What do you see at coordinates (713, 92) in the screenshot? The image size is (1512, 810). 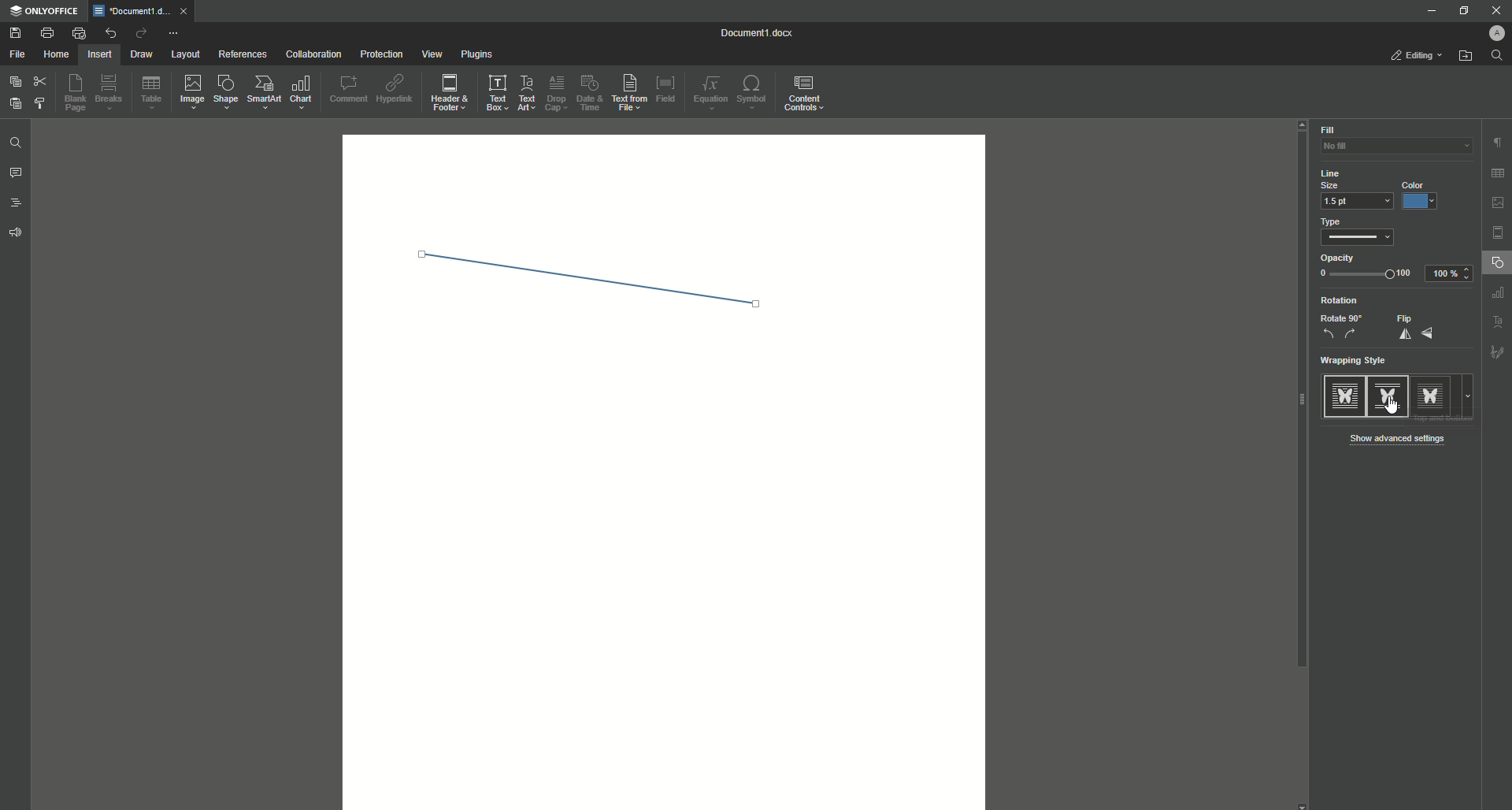 I see `Equation` at bounding box center [713, 92].